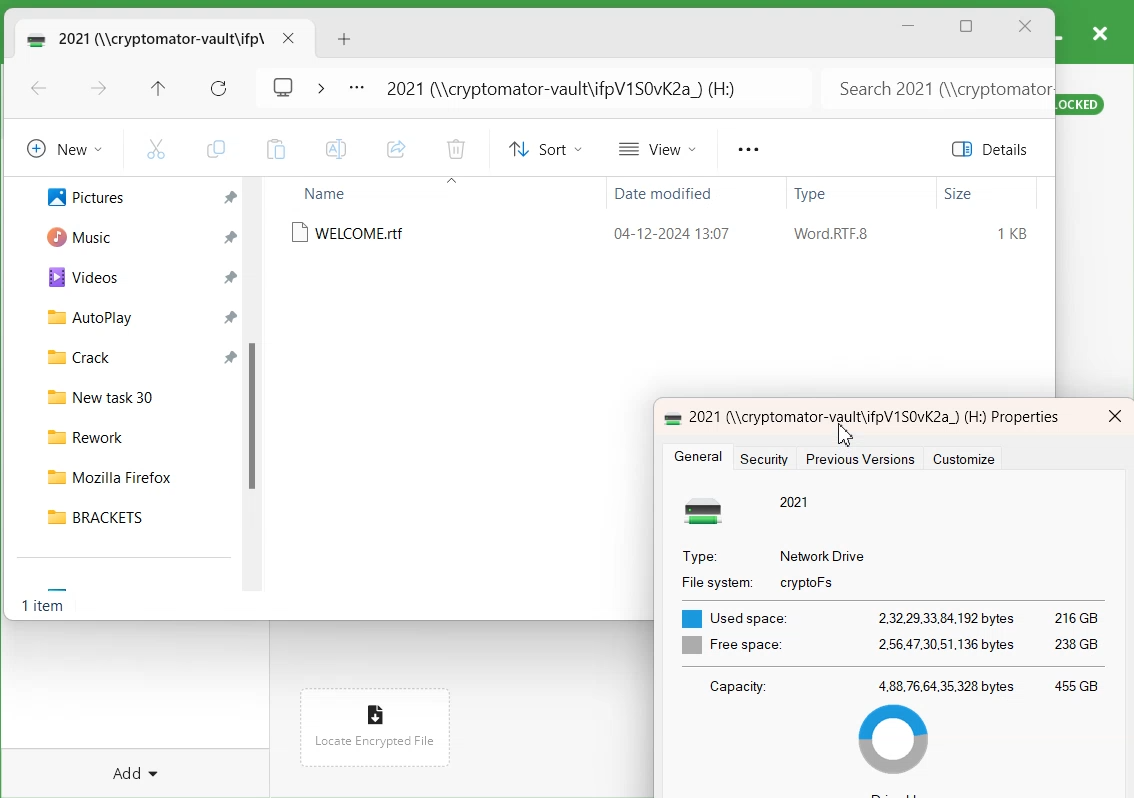  Describe the element at coordinates (745, 685) in the screenshot. I see `Capacity:` at that location.